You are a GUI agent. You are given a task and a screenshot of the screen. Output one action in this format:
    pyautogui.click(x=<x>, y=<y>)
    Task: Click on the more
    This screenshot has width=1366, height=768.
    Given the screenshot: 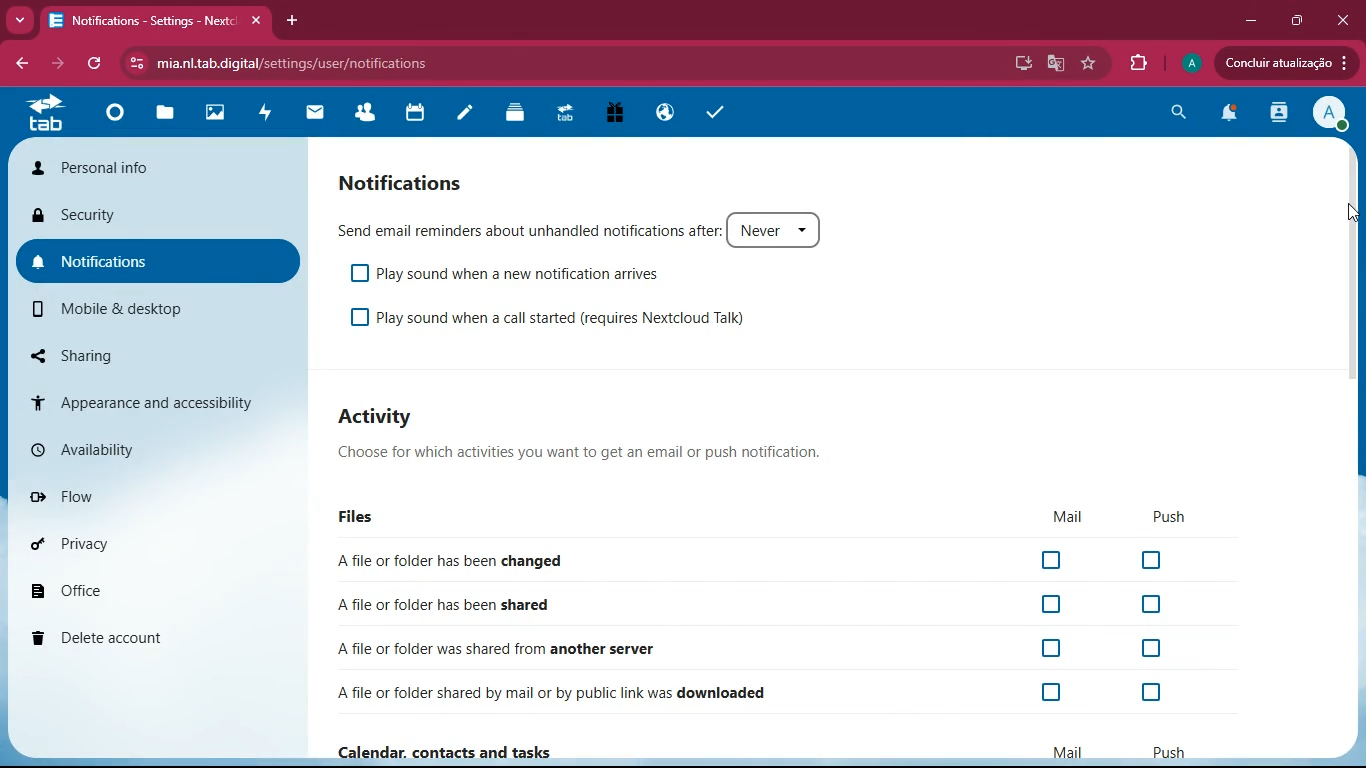 What is the action you would take?
    pyautogui.click(x=18, y=21)
    